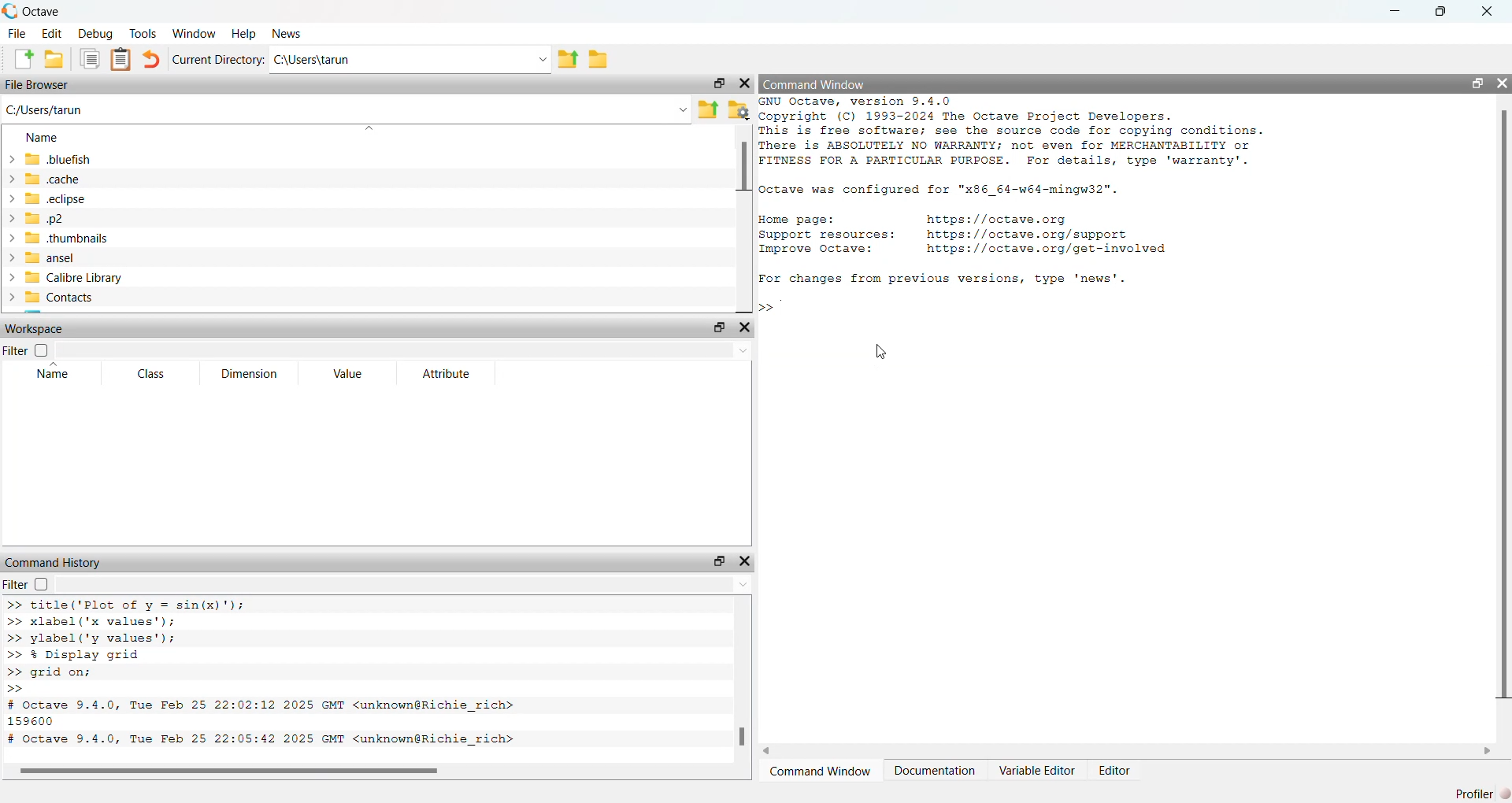 The height and width of the screenshot is (803, 1512). I want to click on Home page: nttps://octave.org Support resources:  https://octave.org/support Improve Octave: https://octave.org/get—involved, so click(963, 234).